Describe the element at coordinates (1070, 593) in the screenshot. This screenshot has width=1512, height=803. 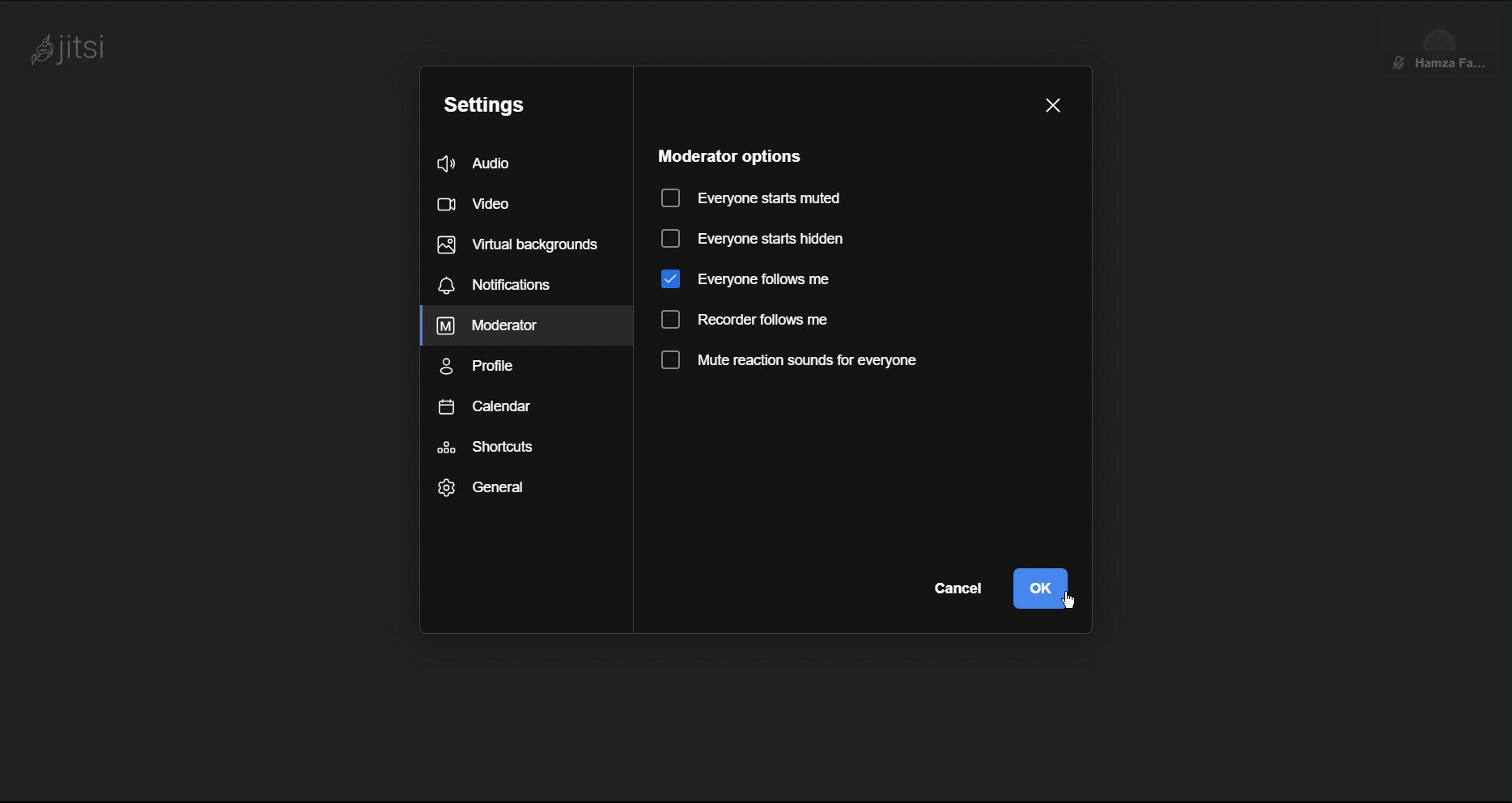
I see `Cursor` at that location.